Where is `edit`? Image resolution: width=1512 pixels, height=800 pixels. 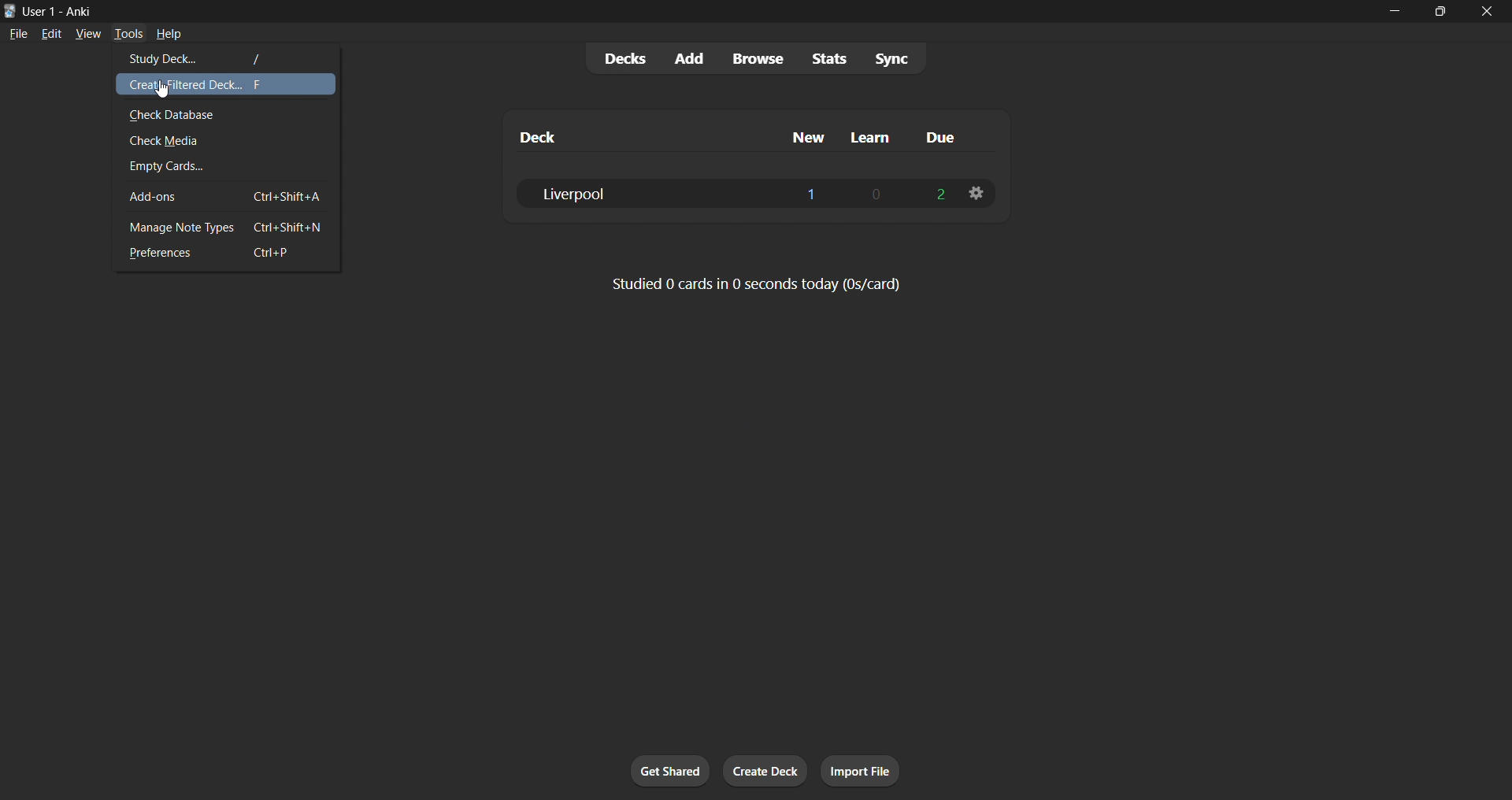 edit is located at coordinates (48, 34).